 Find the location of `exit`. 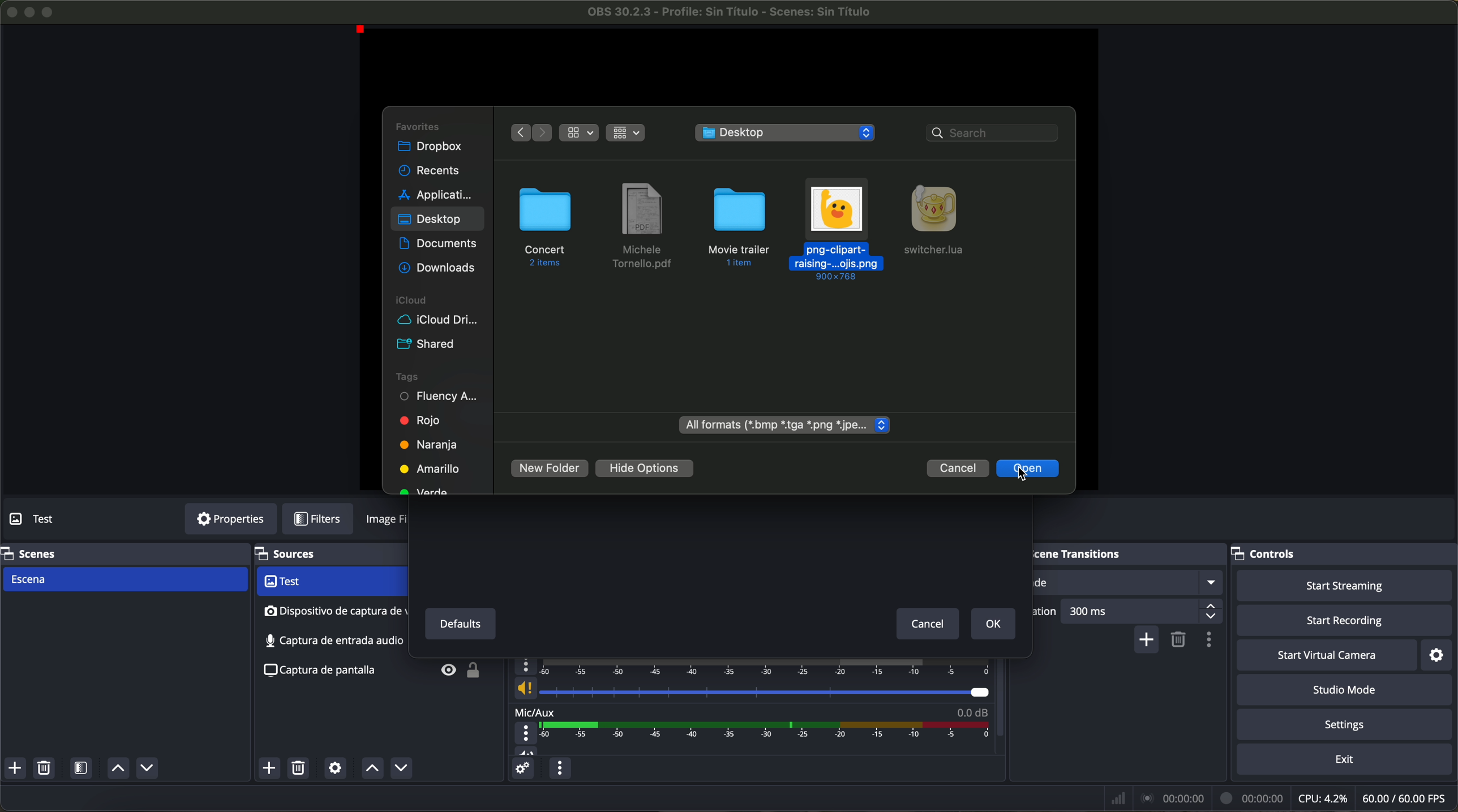

exit is located at coordinates (1346, 761).